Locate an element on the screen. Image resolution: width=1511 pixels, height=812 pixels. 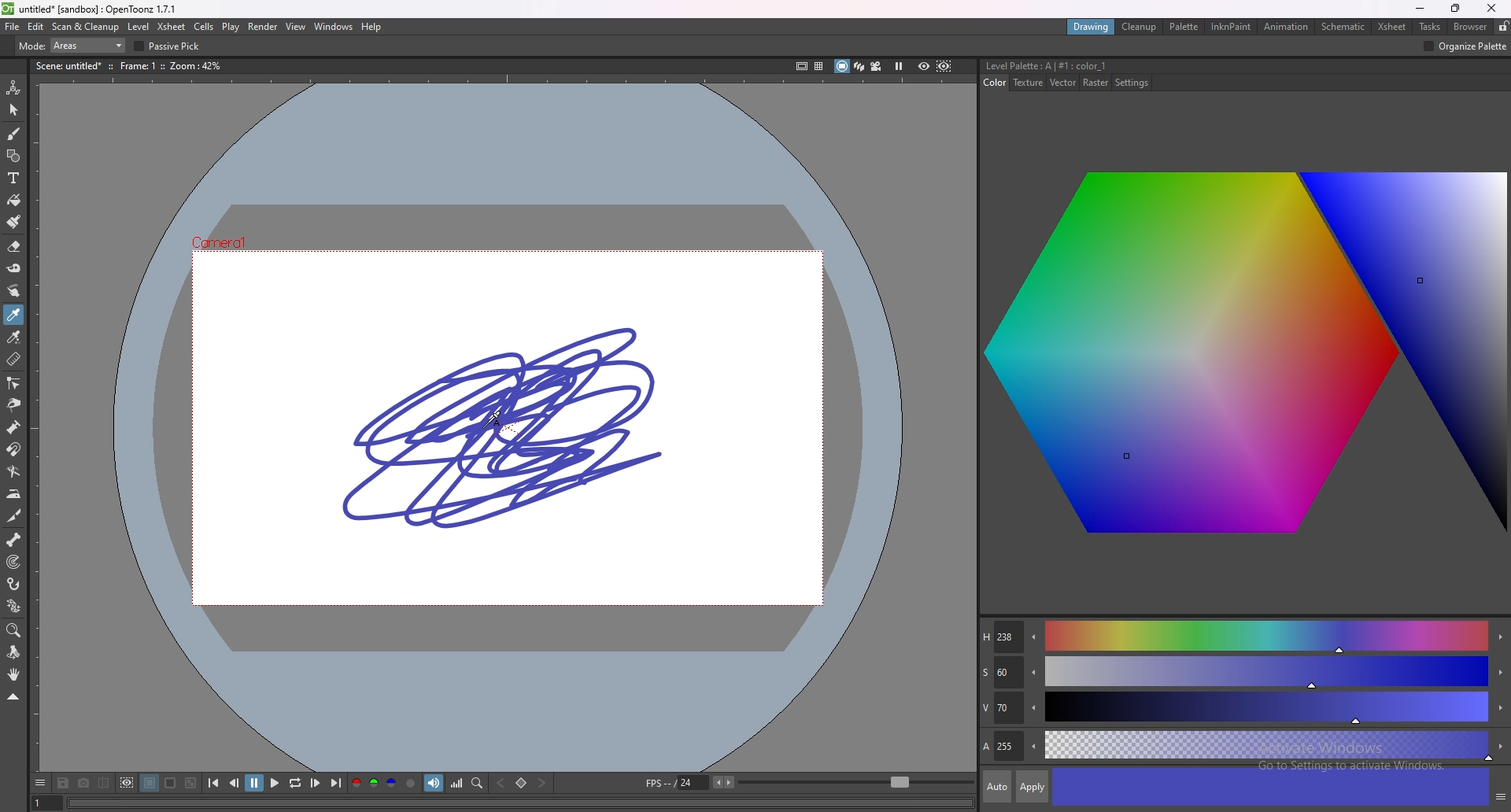
brush tool is located at coordinates (14, 133).